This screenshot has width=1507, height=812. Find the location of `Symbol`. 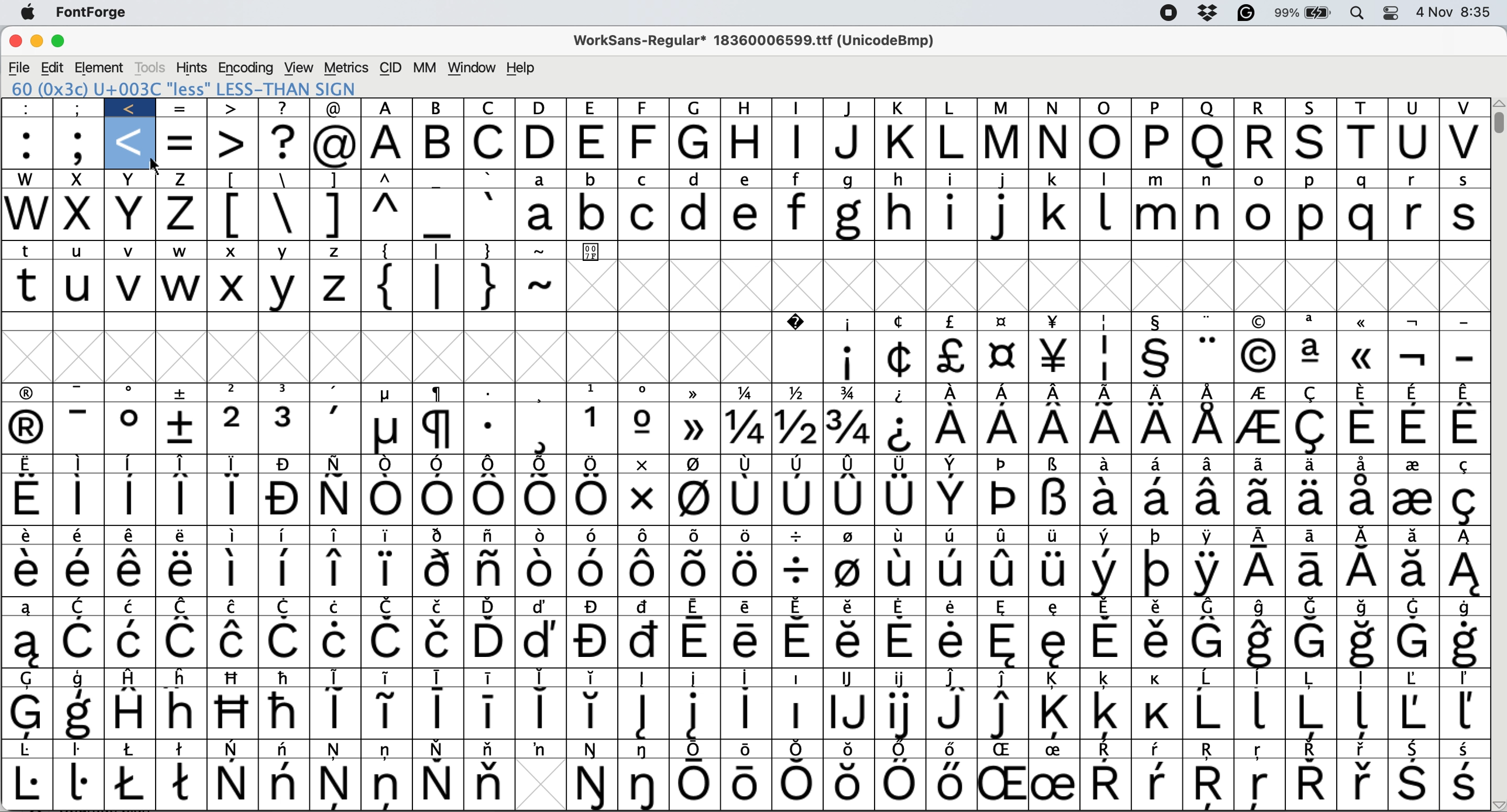

Symbol is located at coordinates (1411, 714).